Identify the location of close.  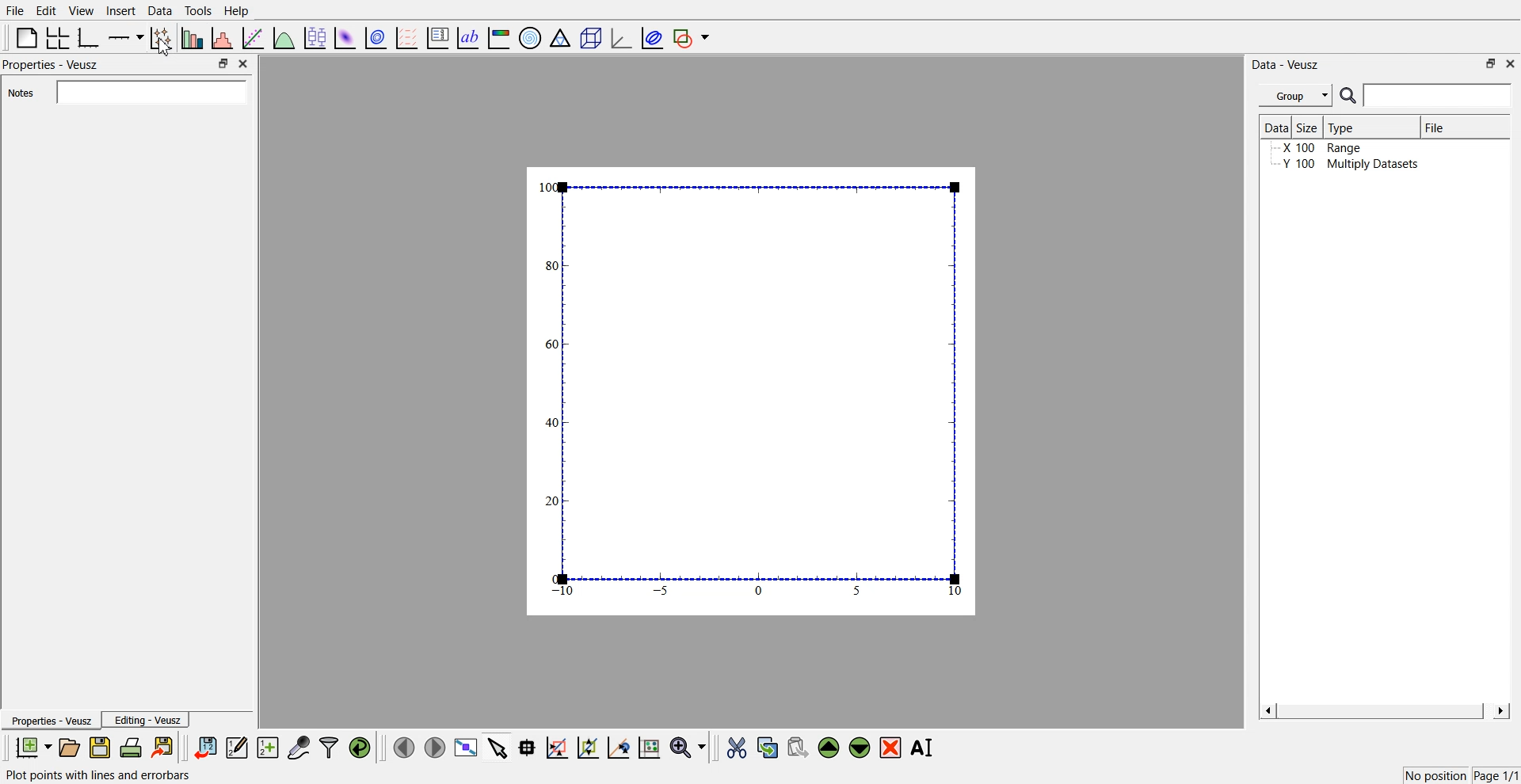
(244, 64).